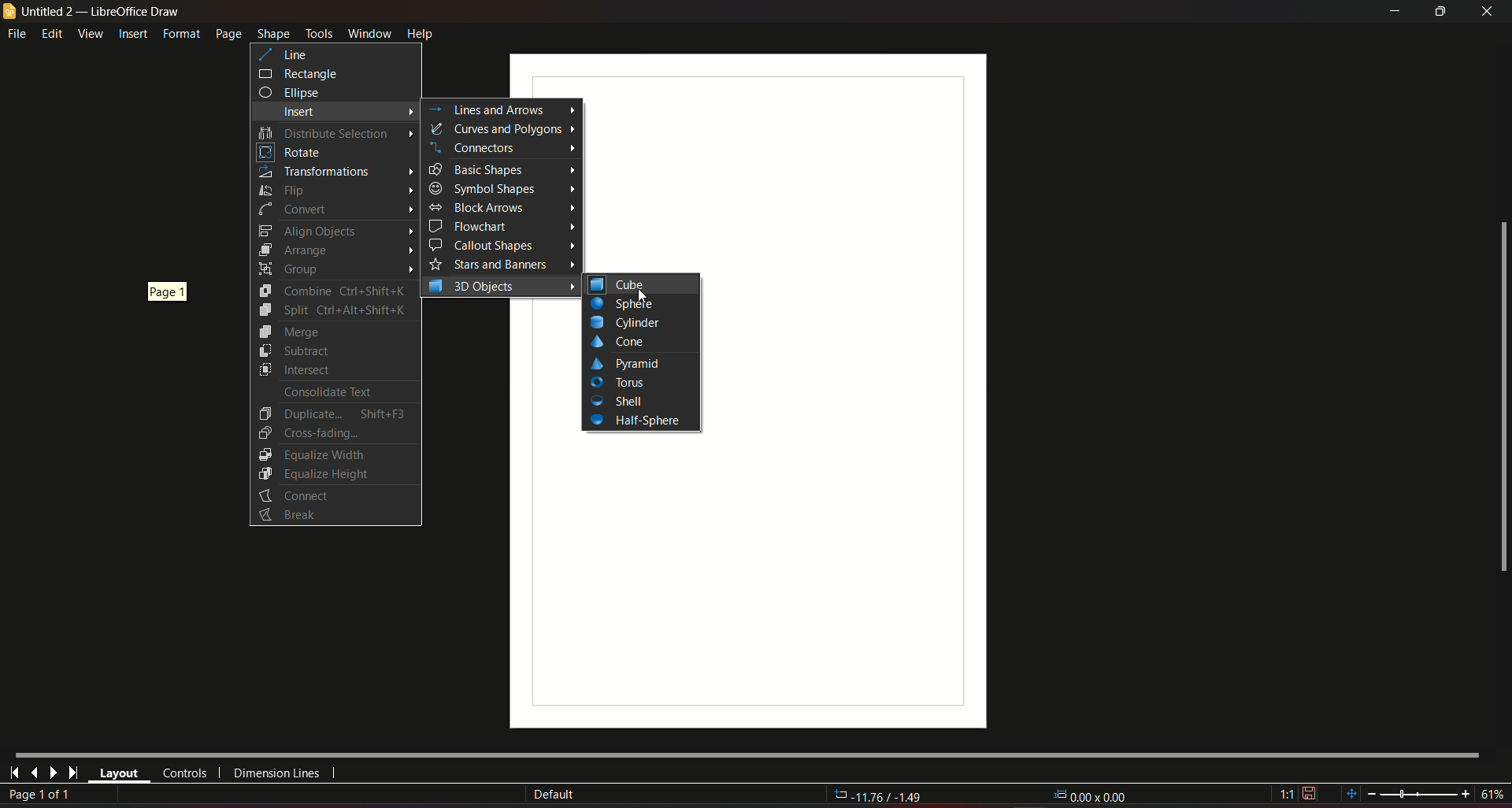 The width and height of the screenshot is (1512, 808). I want to click on Transformations, so click(315, 172).